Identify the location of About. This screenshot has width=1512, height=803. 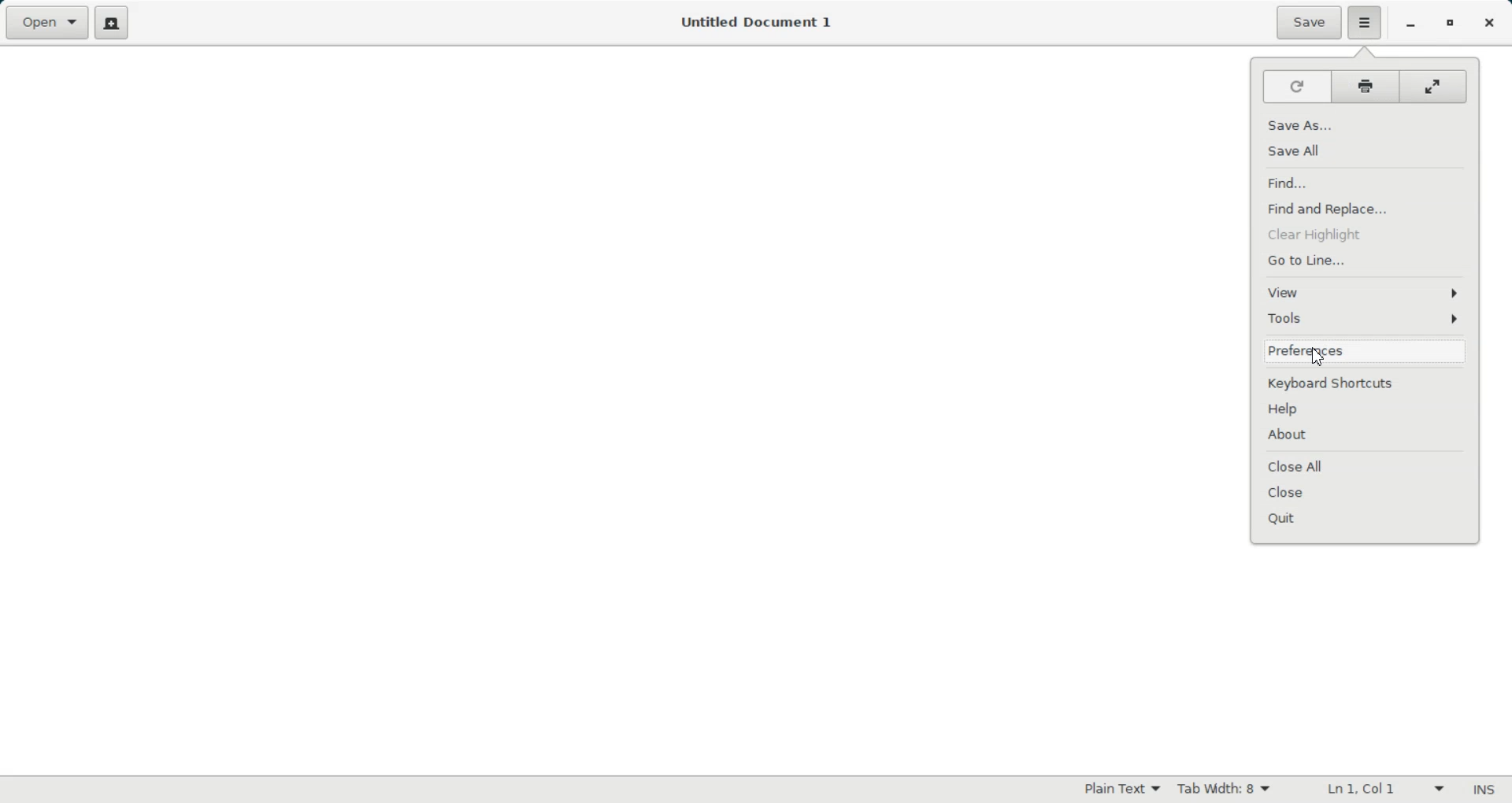
(1366, 434).